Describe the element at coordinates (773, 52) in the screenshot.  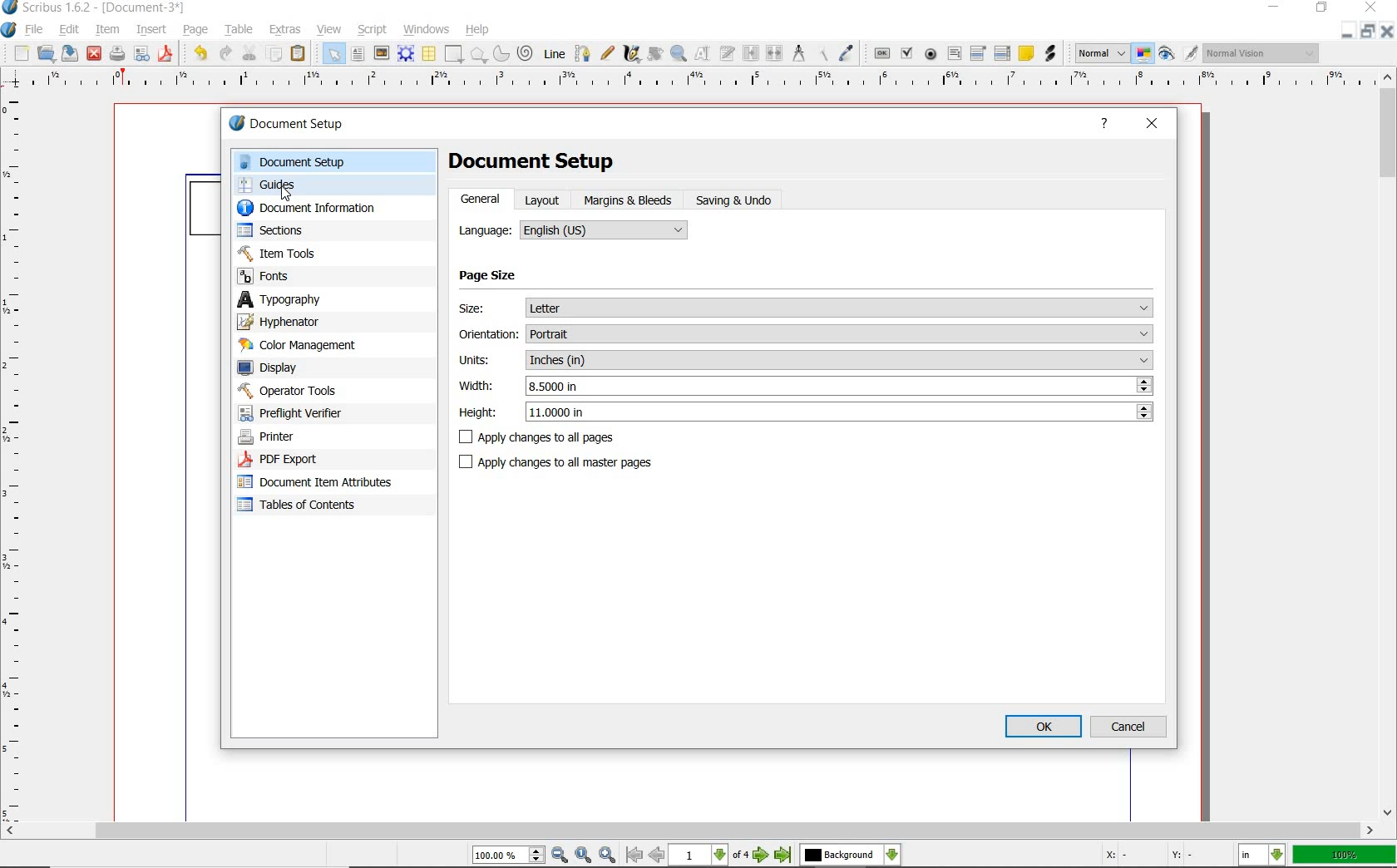
I see `unlink text frames` at that location.